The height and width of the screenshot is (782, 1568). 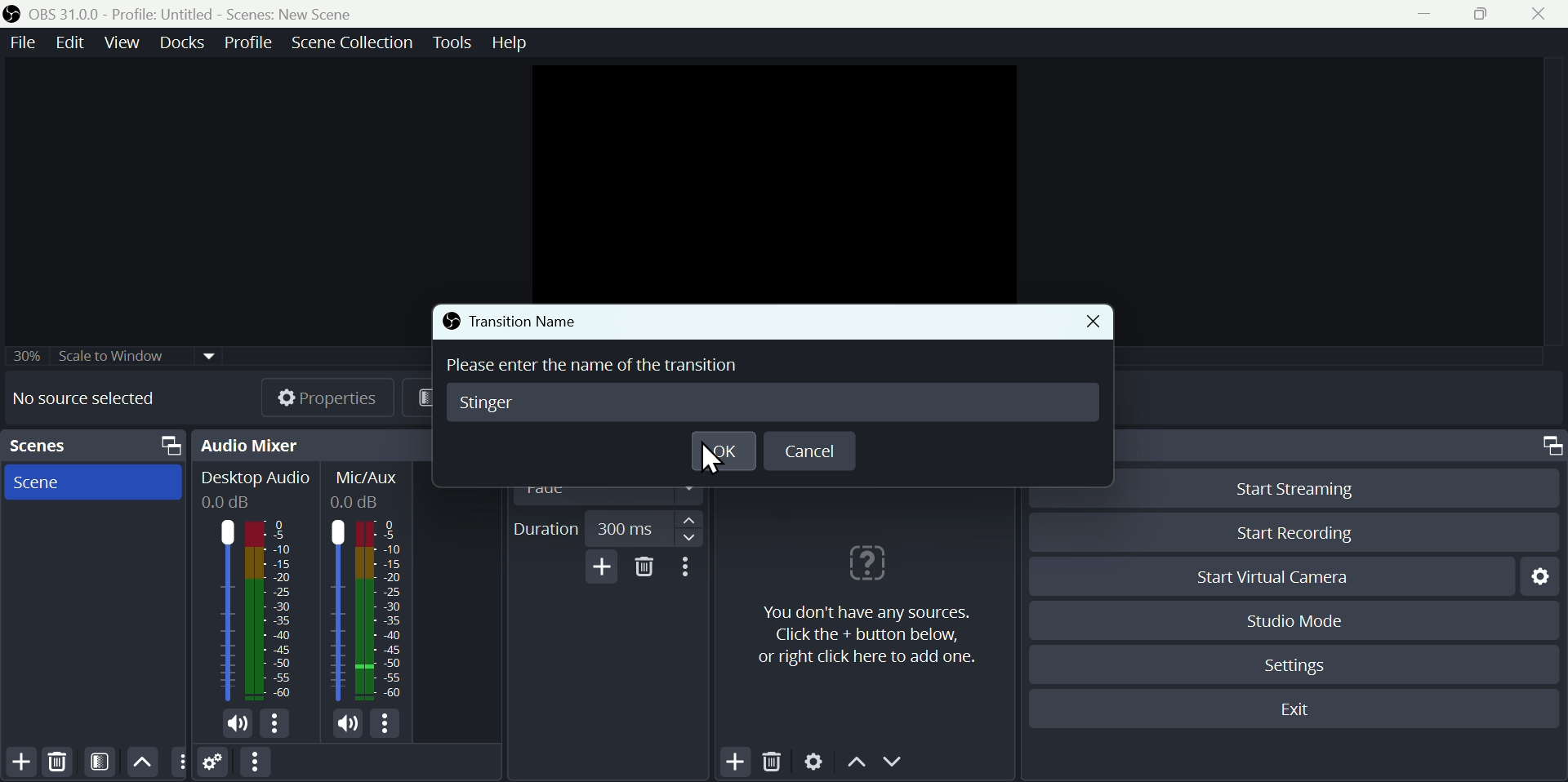 I want to click on OBS 31.0.0 - Profile: untitled scenes: new scene, so click(x=185, y=13).